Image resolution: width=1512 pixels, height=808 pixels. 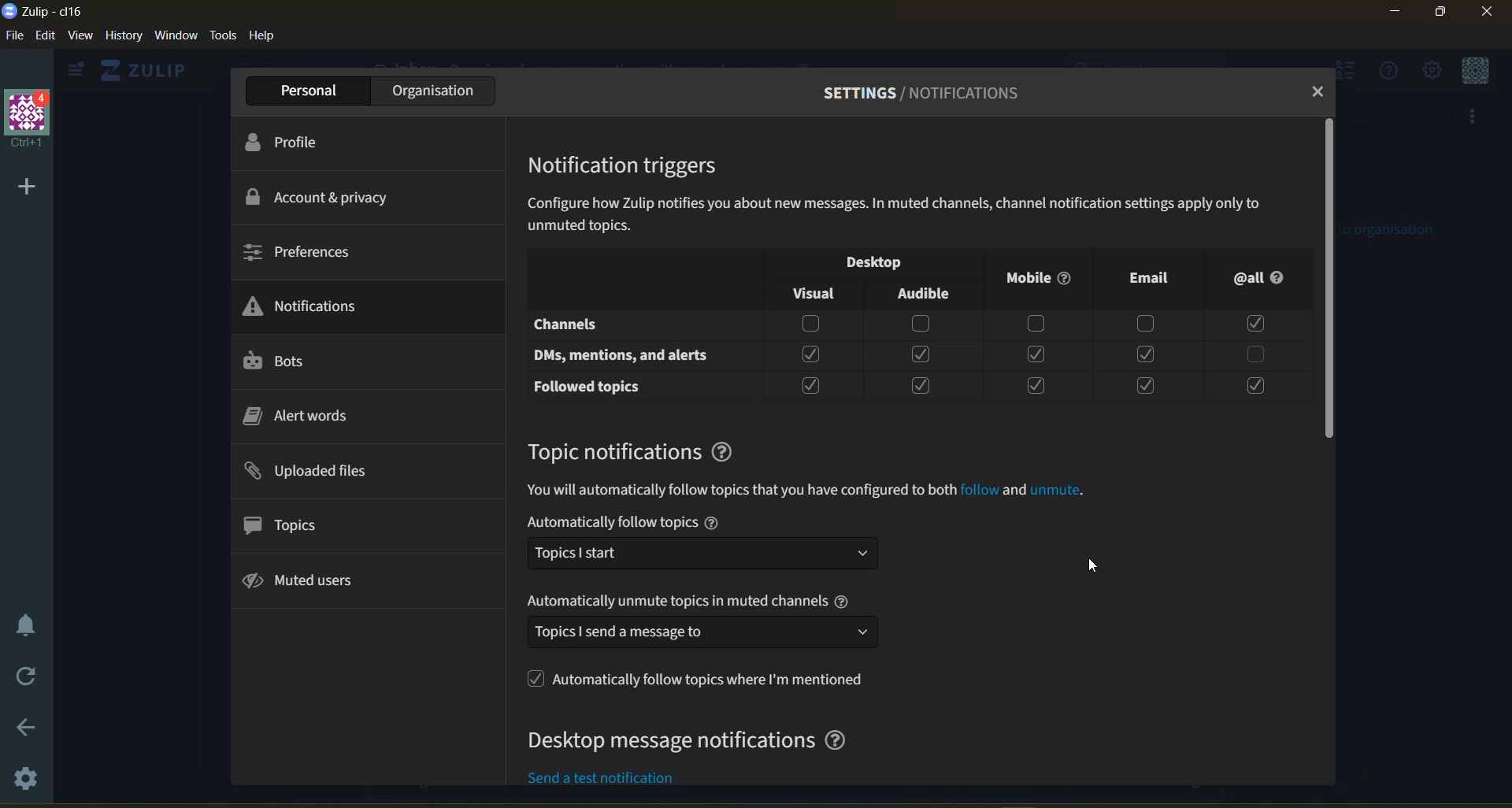 What do you see at coordinates (1444, 15) in the screenshot?
I see `Maximize` at bounding box center [1444, 15].